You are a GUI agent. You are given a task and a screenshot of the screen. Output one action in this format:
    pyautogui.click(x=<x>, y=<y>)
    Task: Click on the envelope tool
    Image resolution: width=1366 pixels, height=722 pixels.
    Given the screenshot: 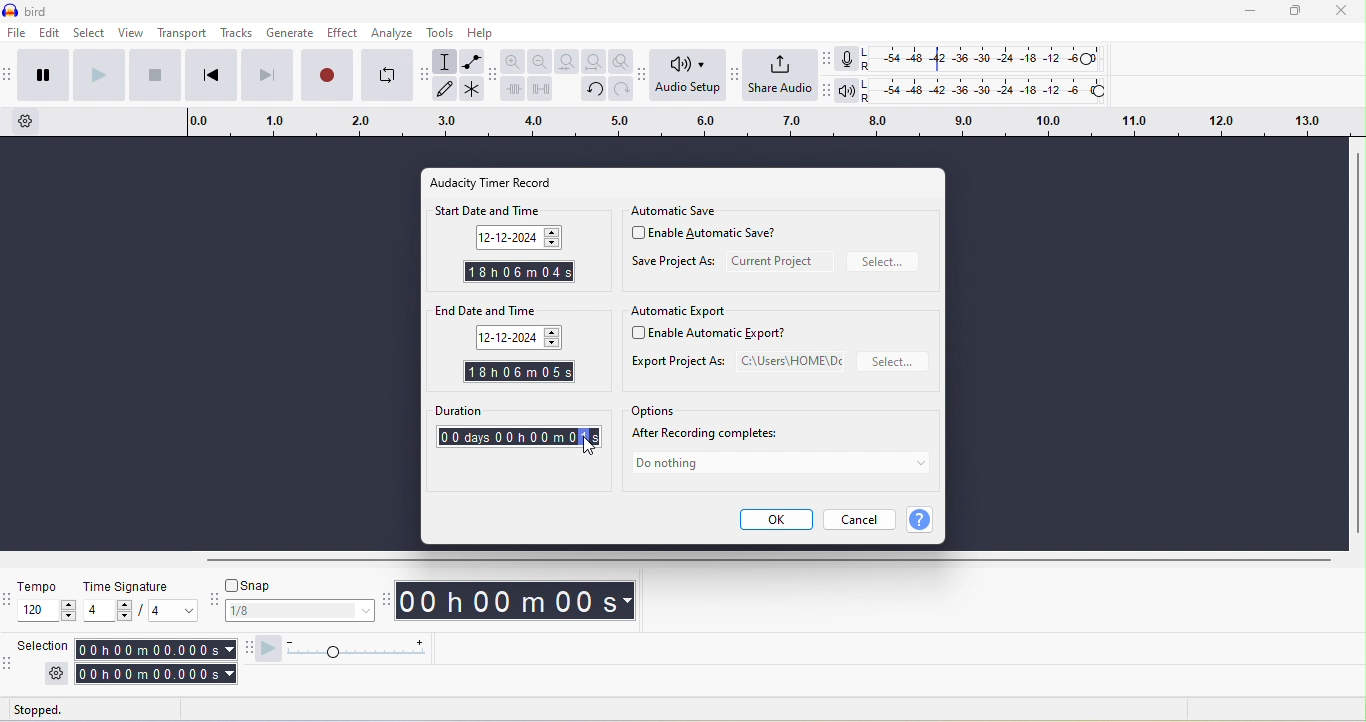 What is the action you would take?
    pyautogui.click(x=471, y=62)
    